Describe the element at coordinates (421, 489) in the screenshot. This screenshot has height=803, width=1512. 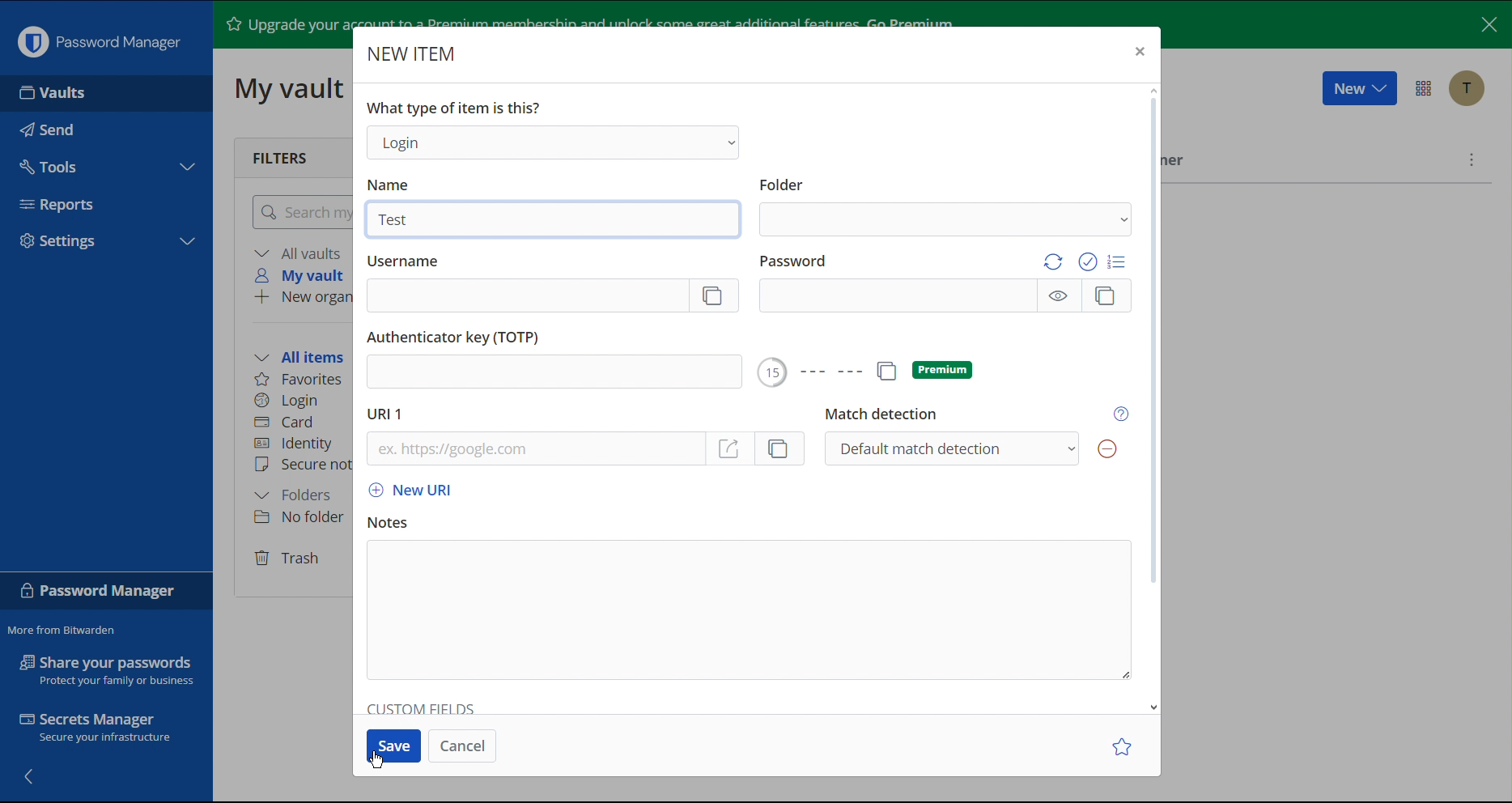
I see `New URL` at that location.